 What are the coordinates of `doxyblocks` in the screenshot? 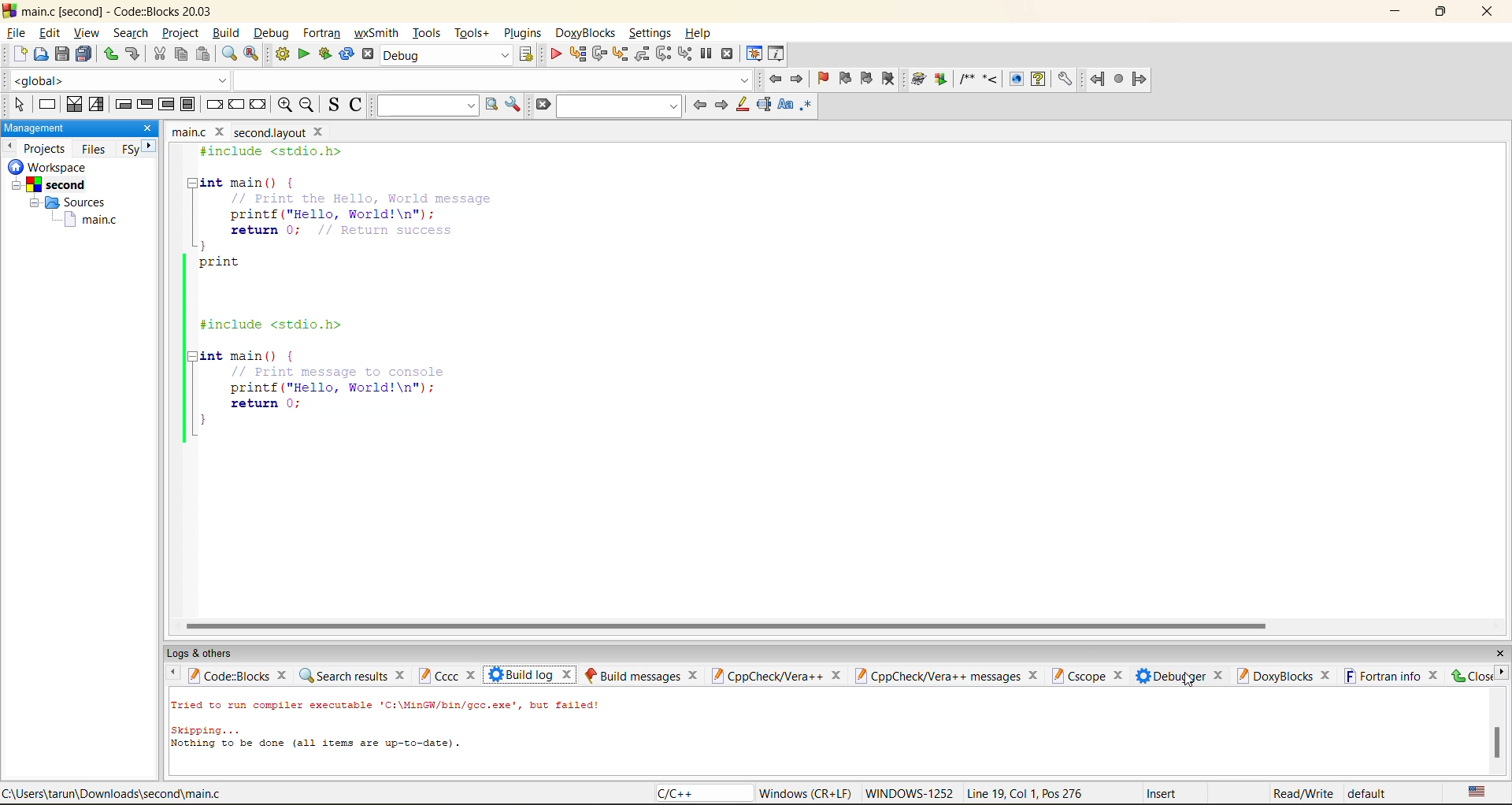 It's located at (991, 80).